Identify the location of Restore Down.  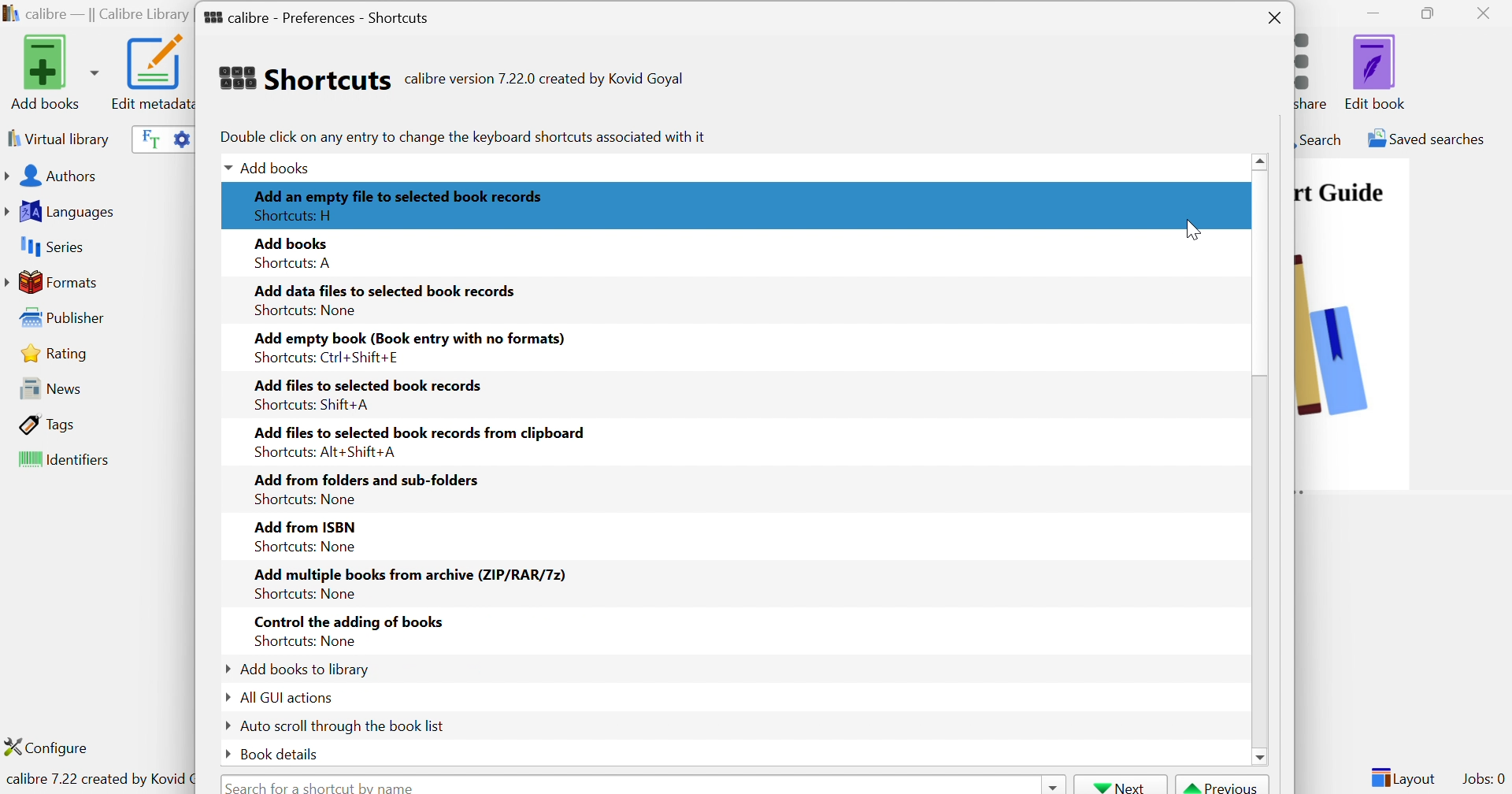
(1432, 14).